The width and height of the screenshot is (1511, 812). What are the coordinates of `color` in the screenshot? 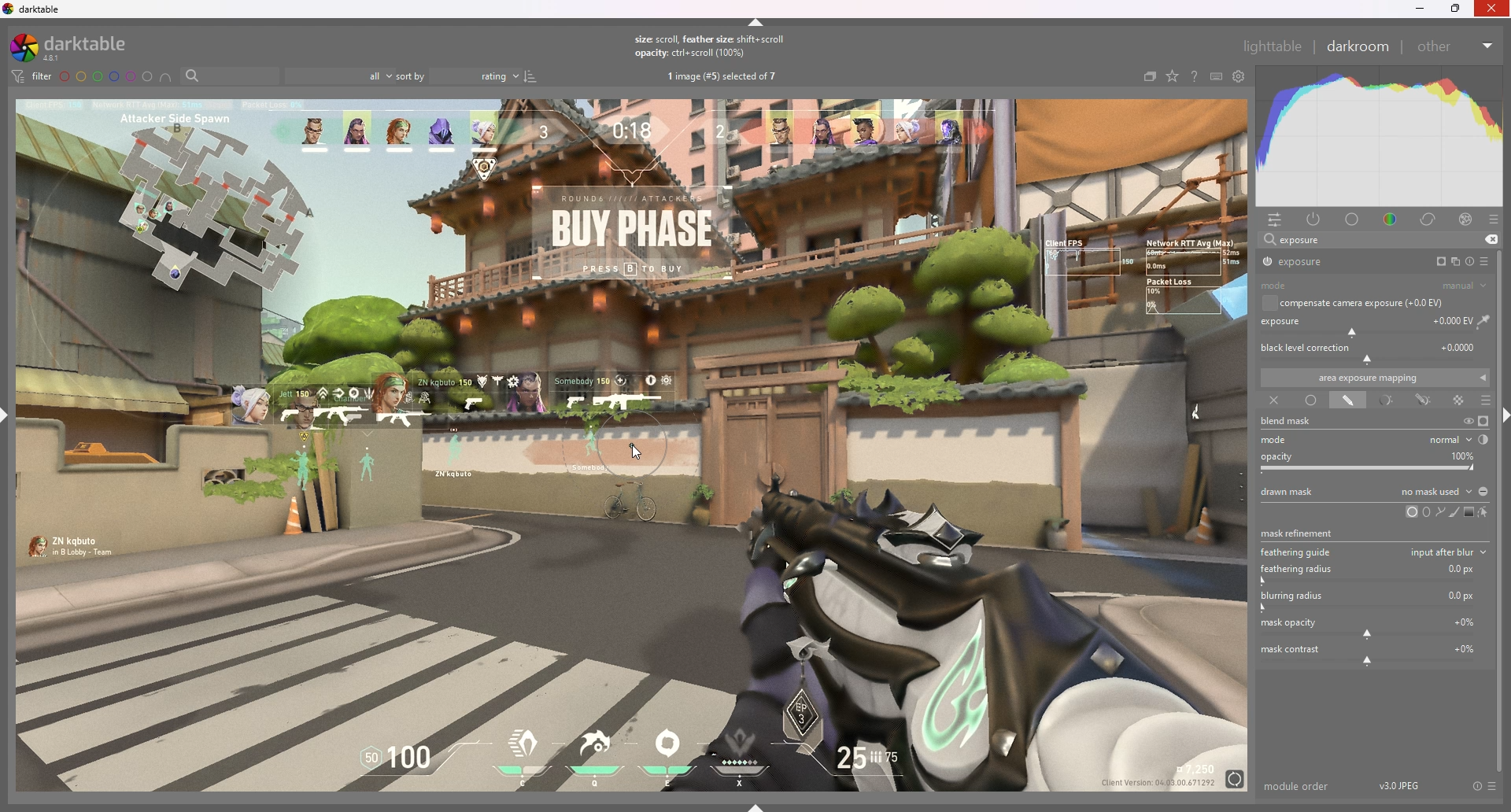 It's located at (1390, 220).